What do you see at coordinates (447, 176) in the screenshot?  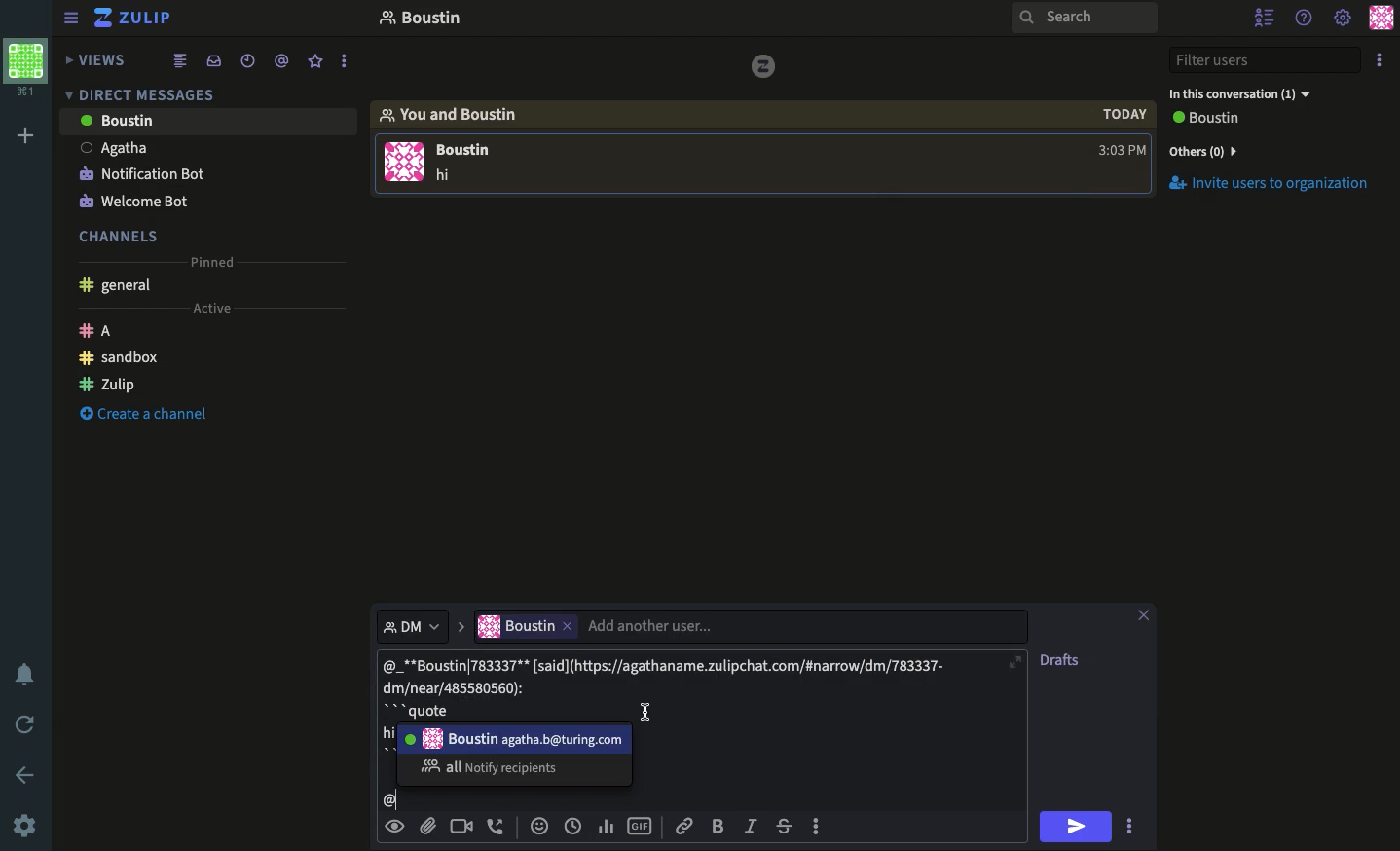 I see `Text` at bounding box center [447, 176].